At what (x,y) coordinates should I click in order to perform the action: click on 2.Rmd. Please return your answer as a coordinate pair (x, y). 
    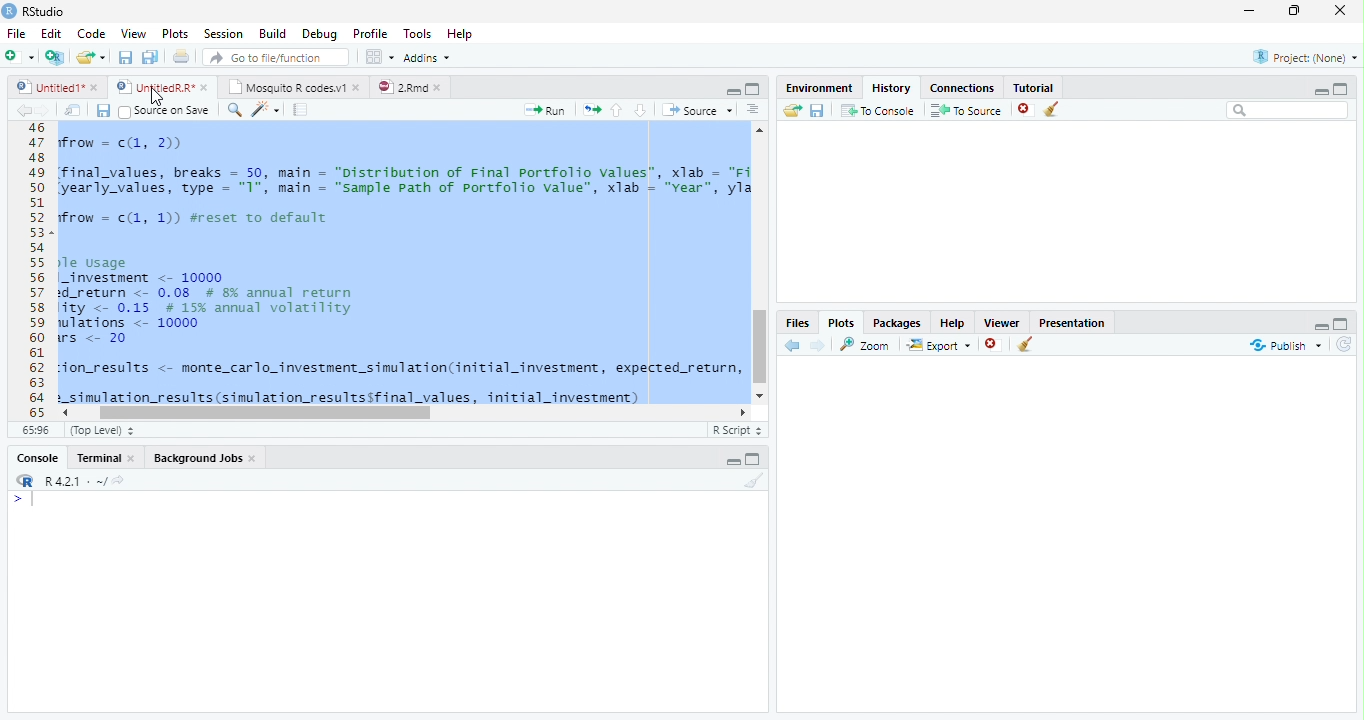
    Looking at the image, I should click on (410, 87).